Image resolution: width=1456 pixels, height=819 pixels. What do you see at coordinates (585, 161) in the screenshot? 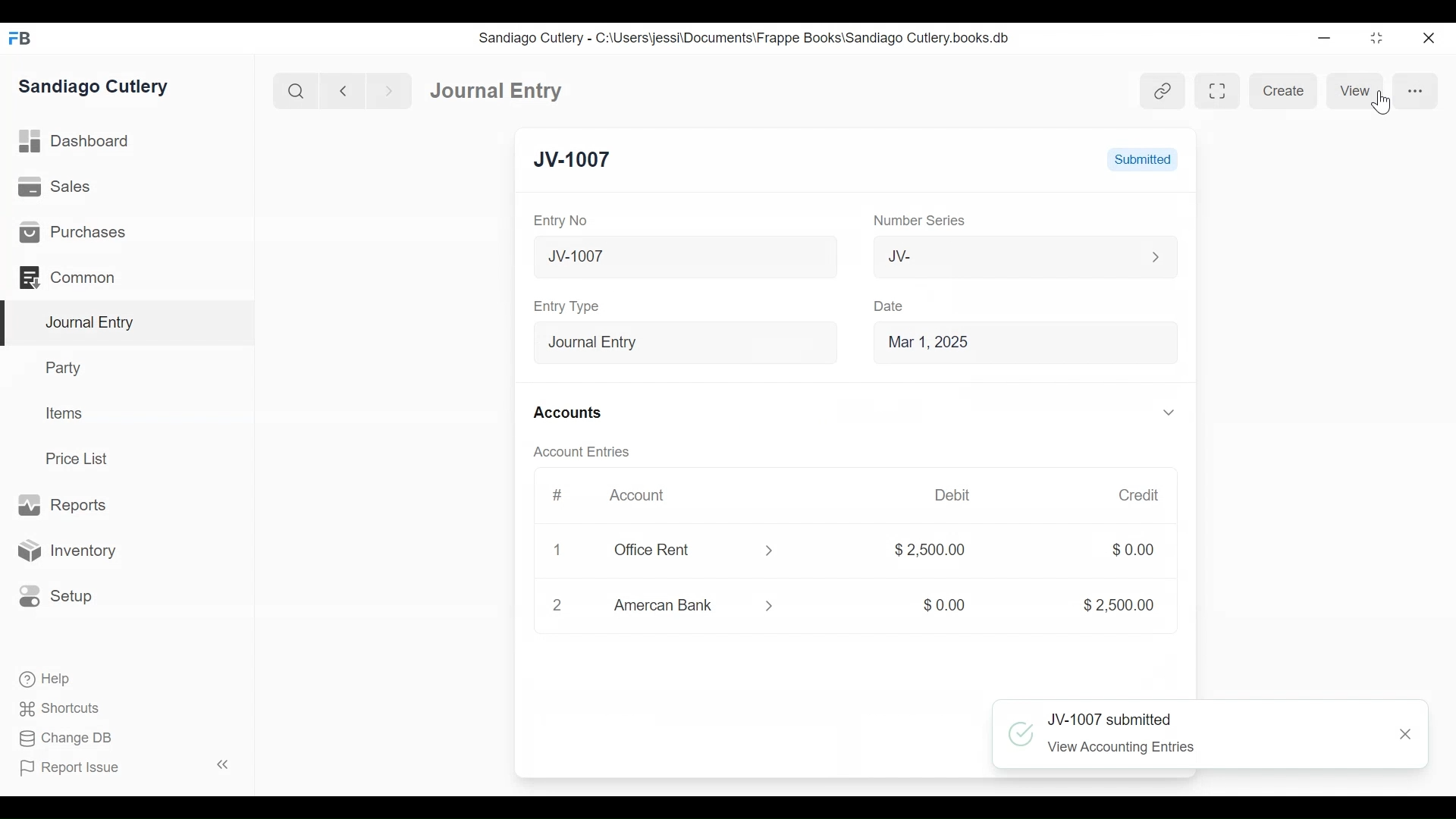
I see `New Entry` at bounding box center [585, 161].